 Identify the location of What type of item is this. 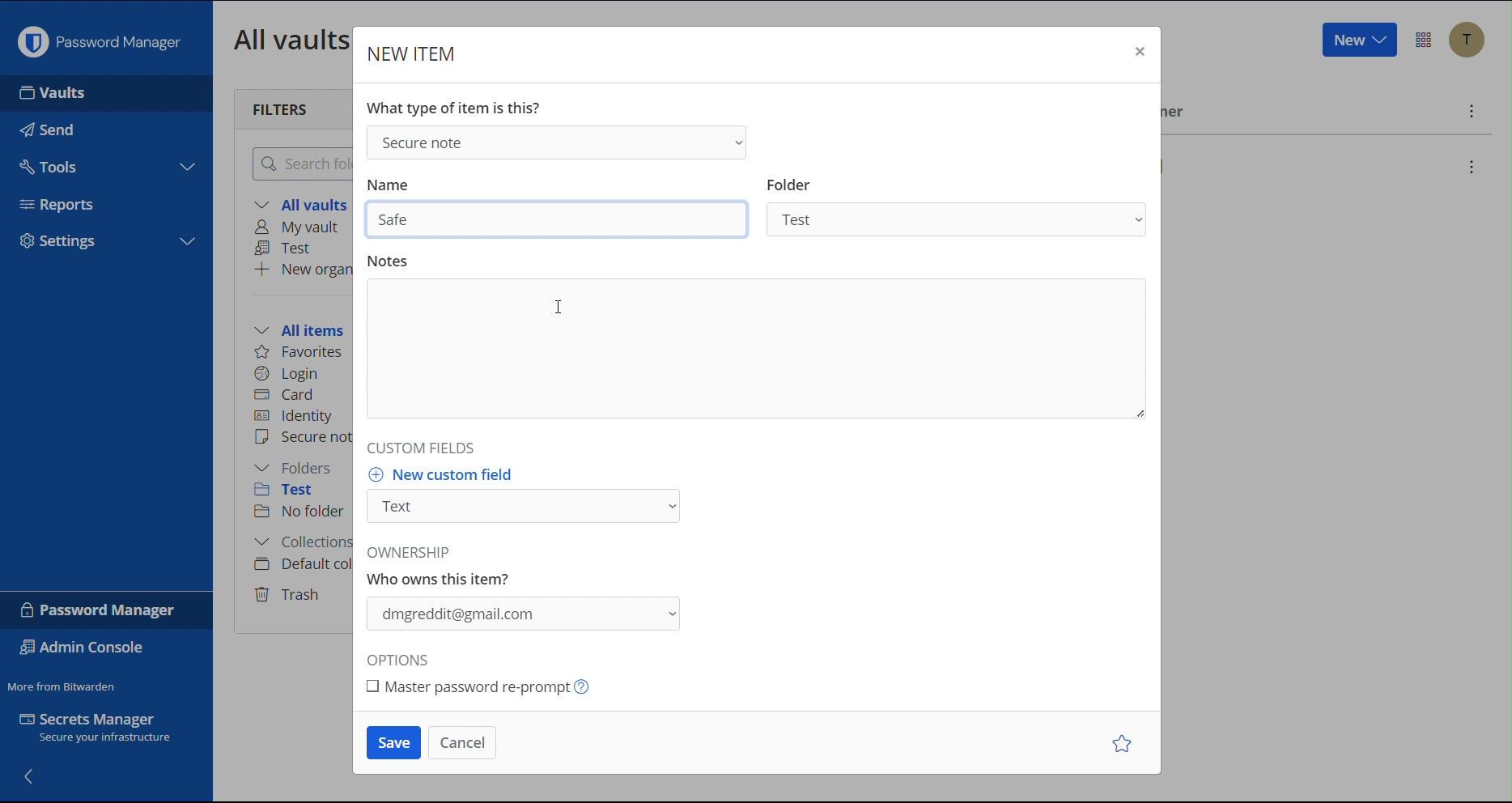
(452, 108).